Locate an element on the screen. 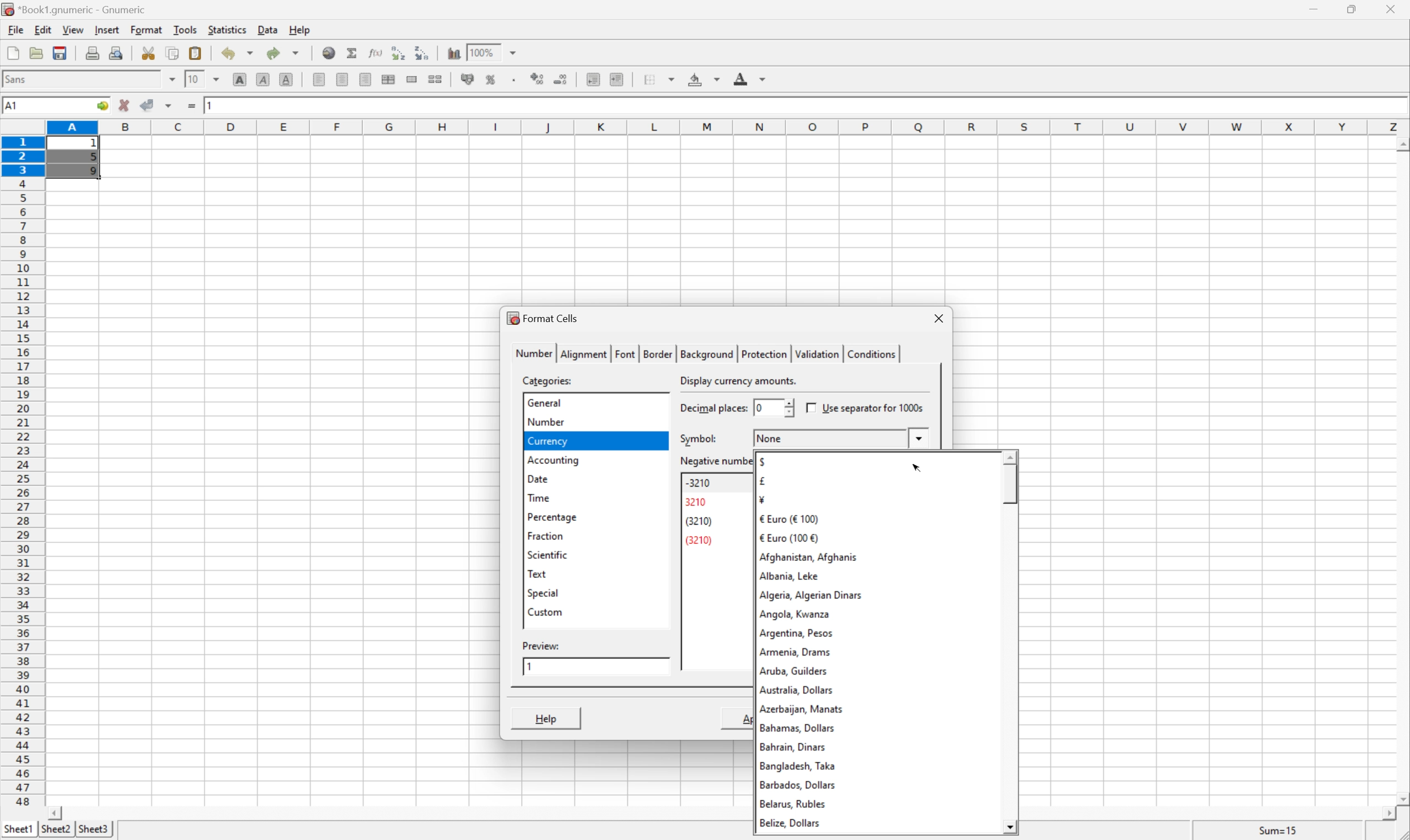 The height and width of the screenshot is (840, 1410). format selection as accounting is located at coordinates (468, 79).